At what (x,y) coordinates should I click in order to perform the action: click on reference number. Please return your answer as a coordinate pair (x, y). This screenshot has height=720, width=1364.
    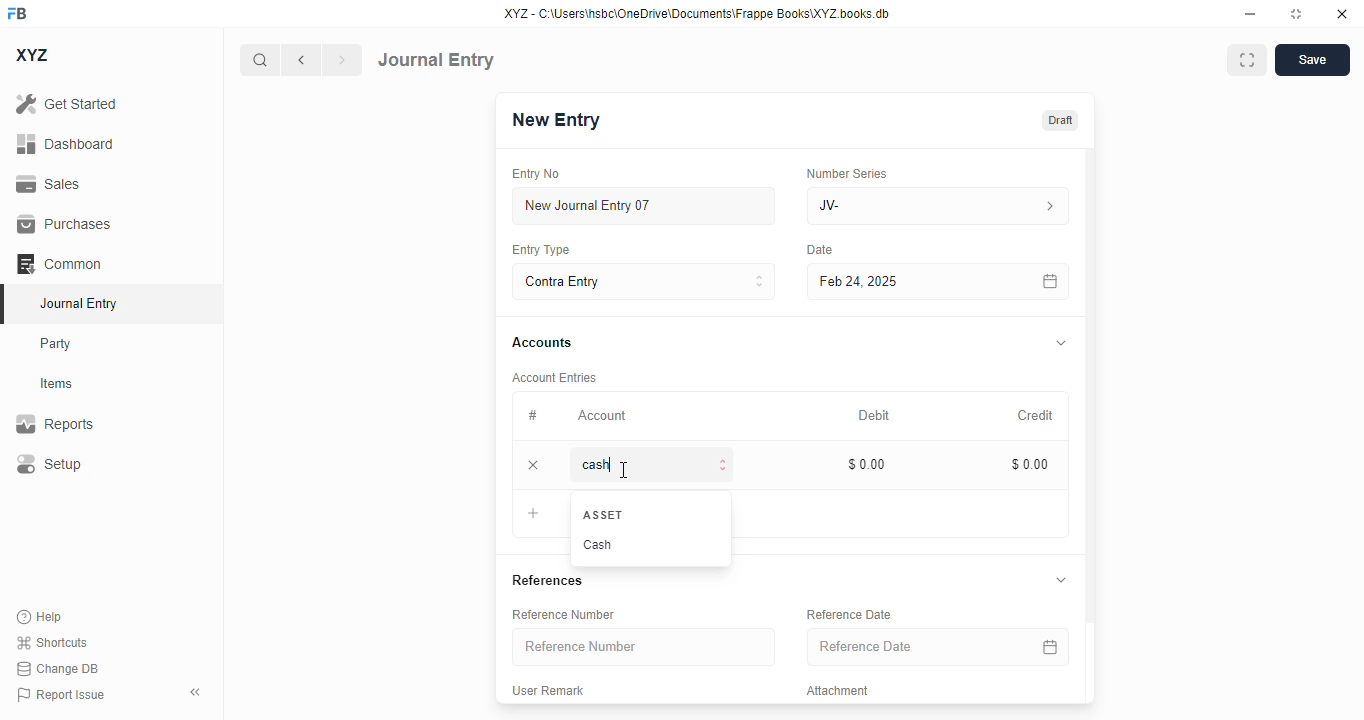
    Looking at the image, I should click on (645, 647).